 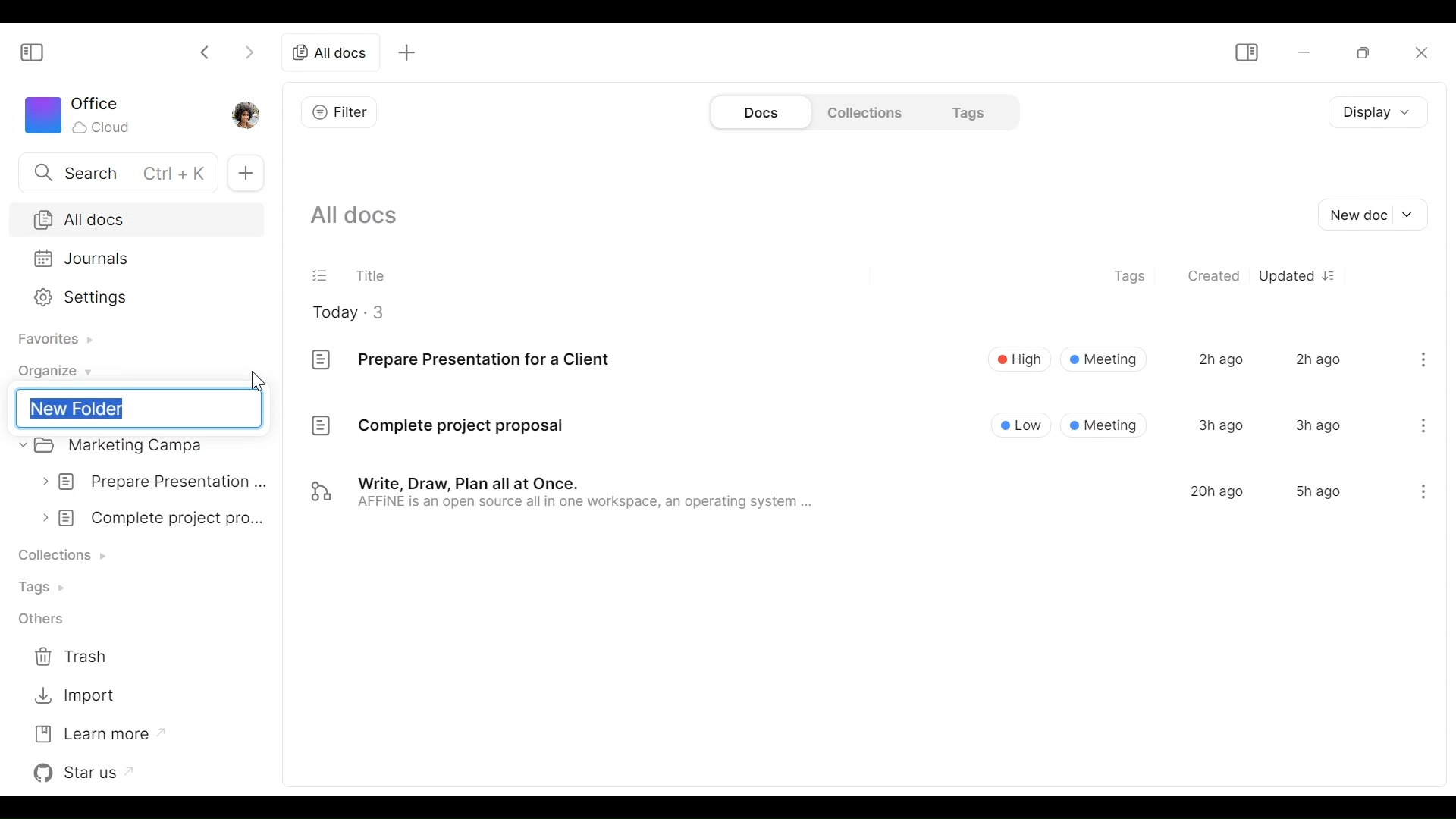 I want to click on Organize, so click(x=52, y=370).